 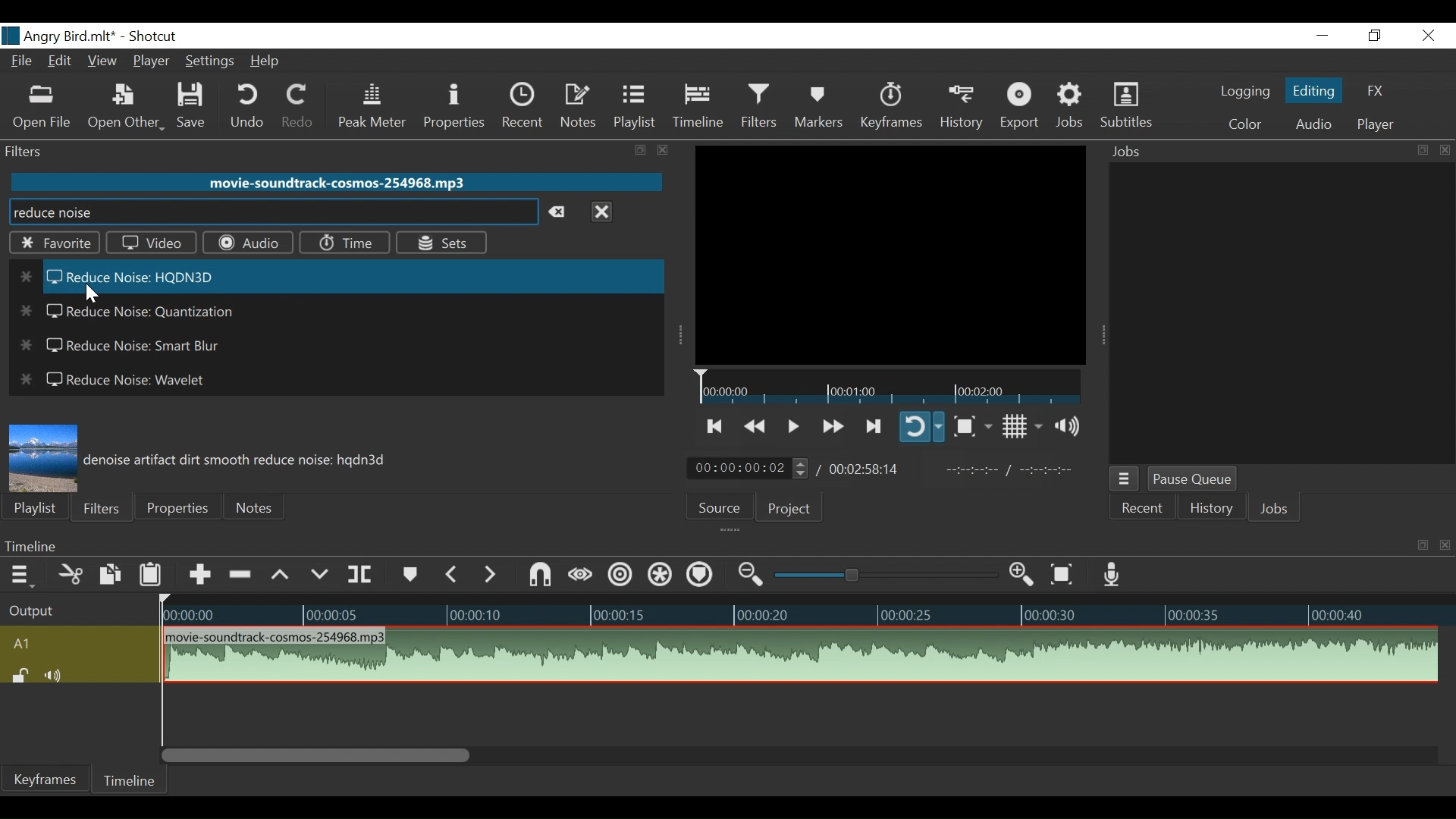 I want to click on Recent, so click(x=1143, y=508).